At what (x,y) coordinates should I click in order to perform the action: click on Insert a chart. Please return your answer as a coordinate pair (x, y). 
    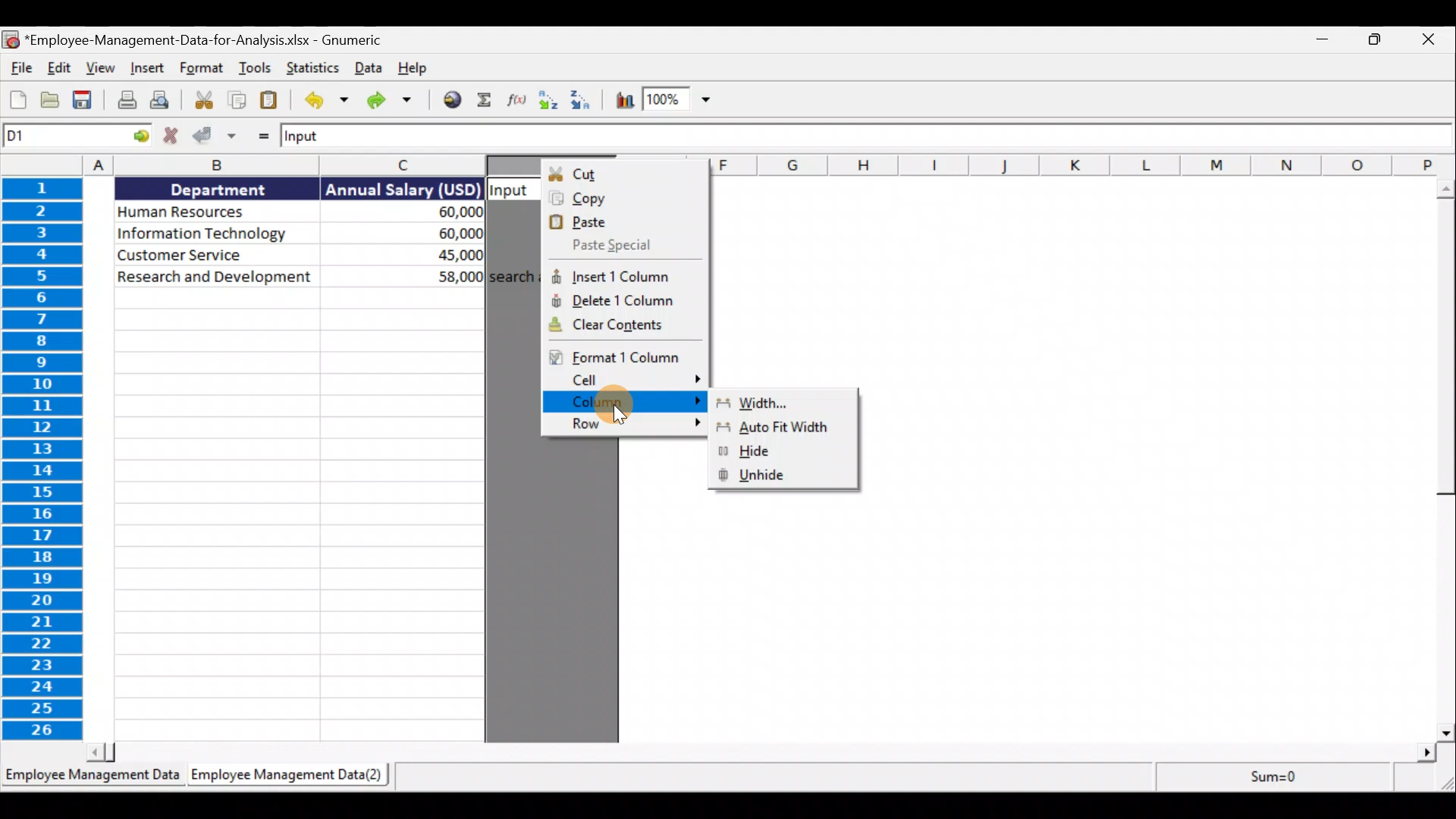
    Looking at the image, I should click on (624, 102).